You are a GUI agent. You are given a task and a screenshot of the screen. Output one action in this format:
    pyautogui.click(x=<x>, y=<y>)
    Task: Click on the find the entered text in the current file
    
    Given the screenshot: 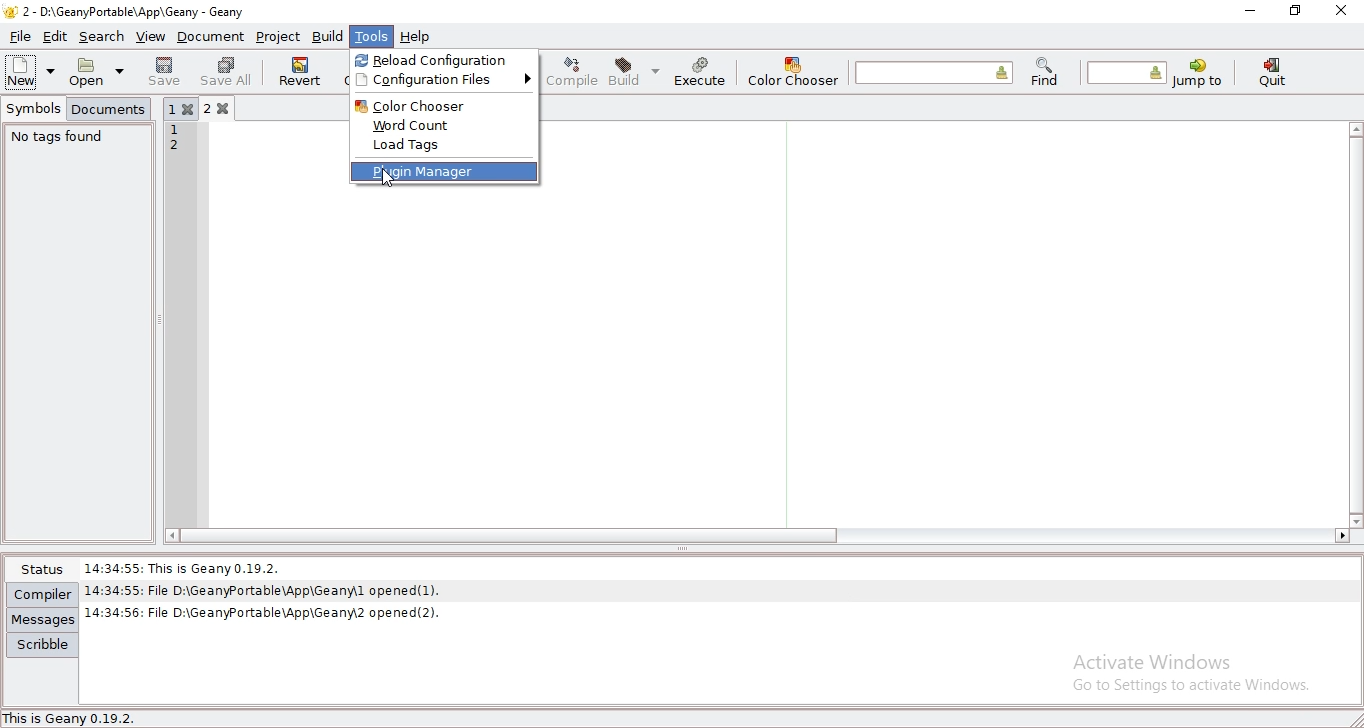 What is the action you would take?
    pyautogui.click(x=934, y=71)
    